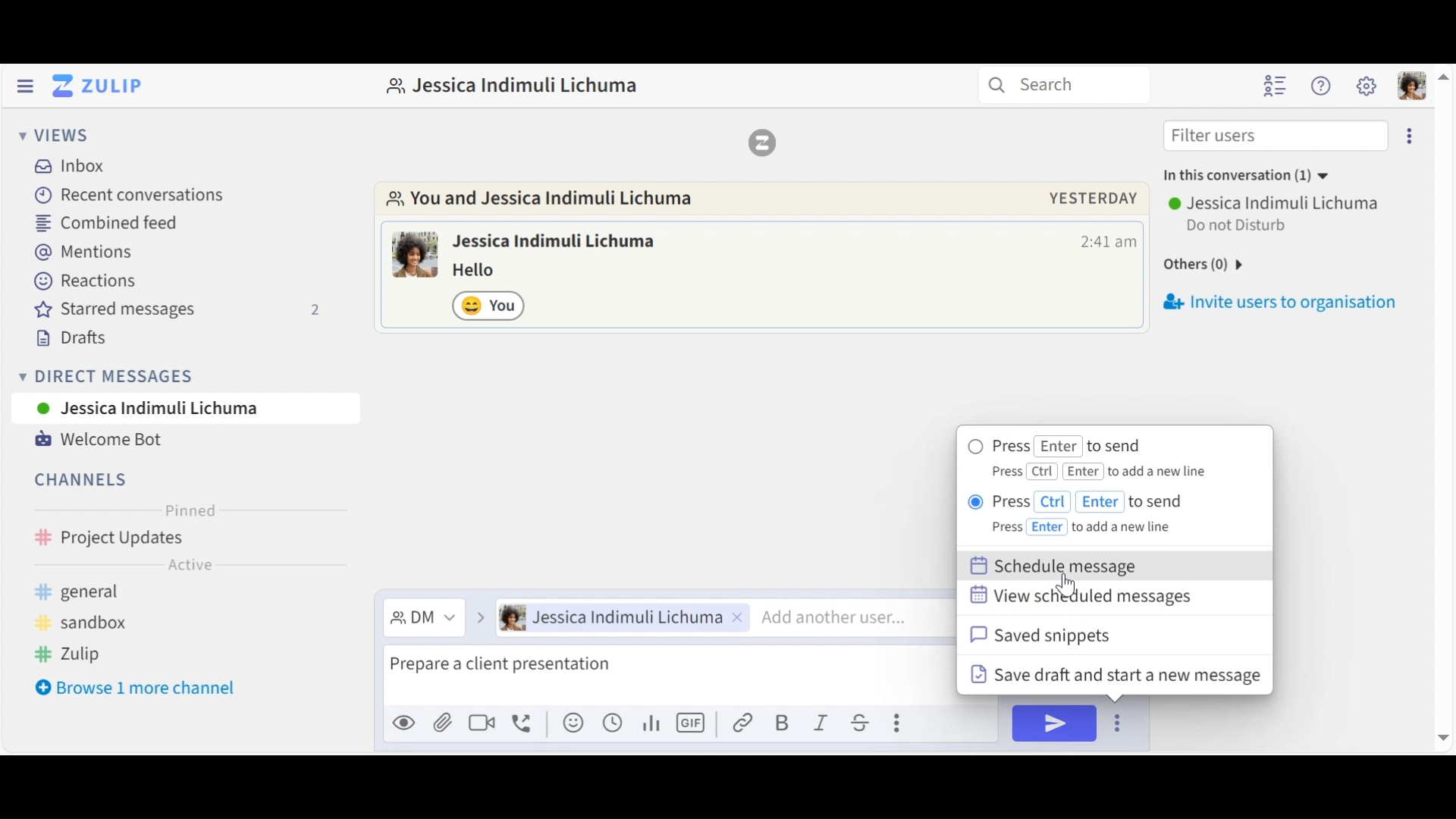  I want to click on Starred messages, so click(178, 312).